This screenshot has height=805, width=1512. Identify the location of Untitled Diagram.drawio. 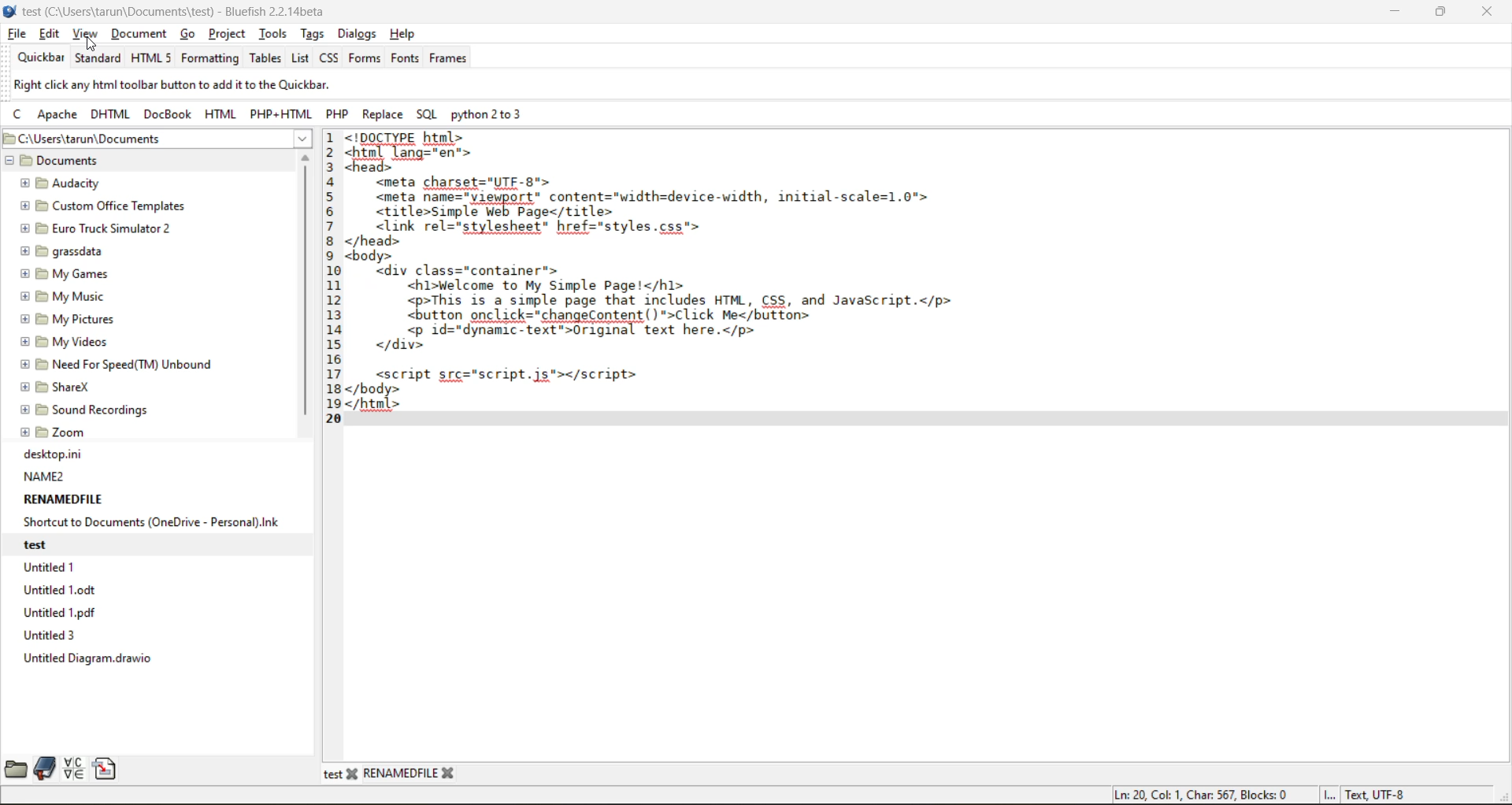
(92, 660).